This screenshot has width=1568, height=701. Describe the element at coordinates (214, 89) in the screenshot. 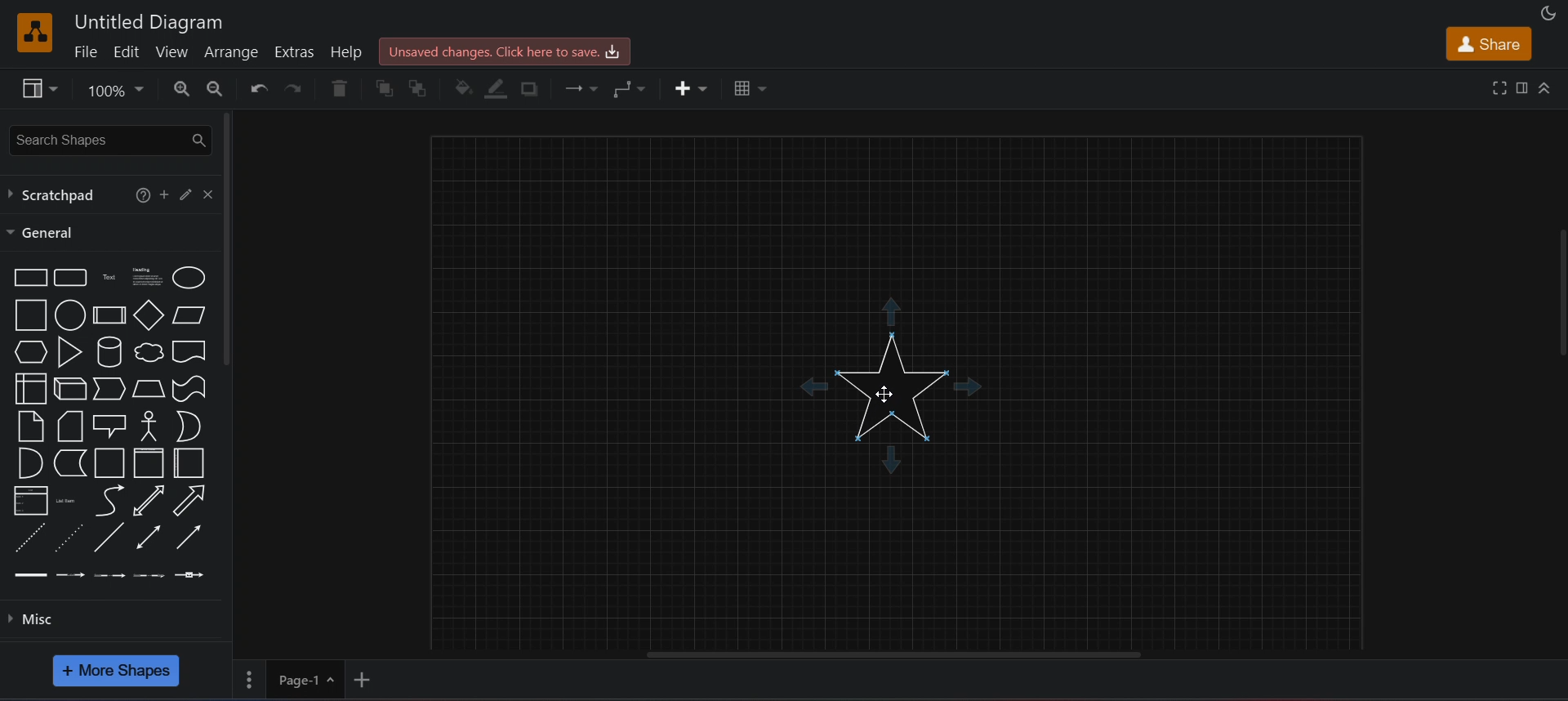

I see `zoom out` at that location.